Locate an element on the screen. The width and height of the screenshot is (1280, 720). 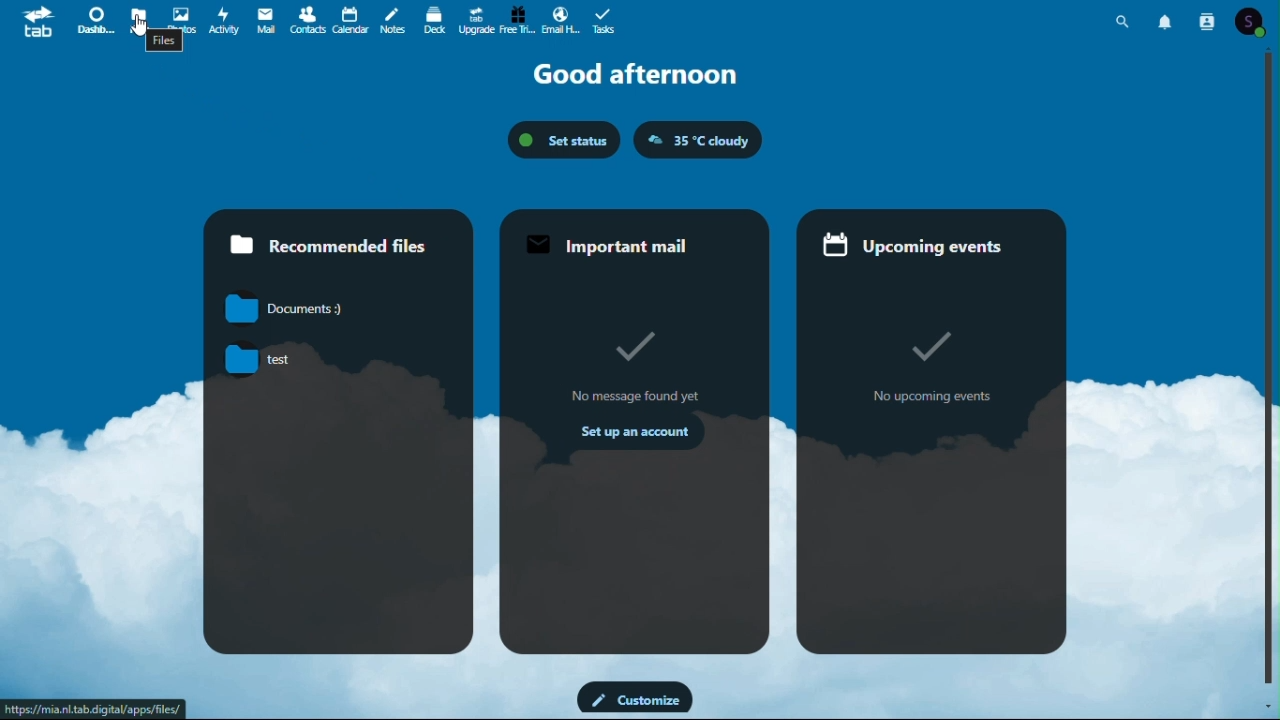
Important mail is located at coordinates (631, 236).